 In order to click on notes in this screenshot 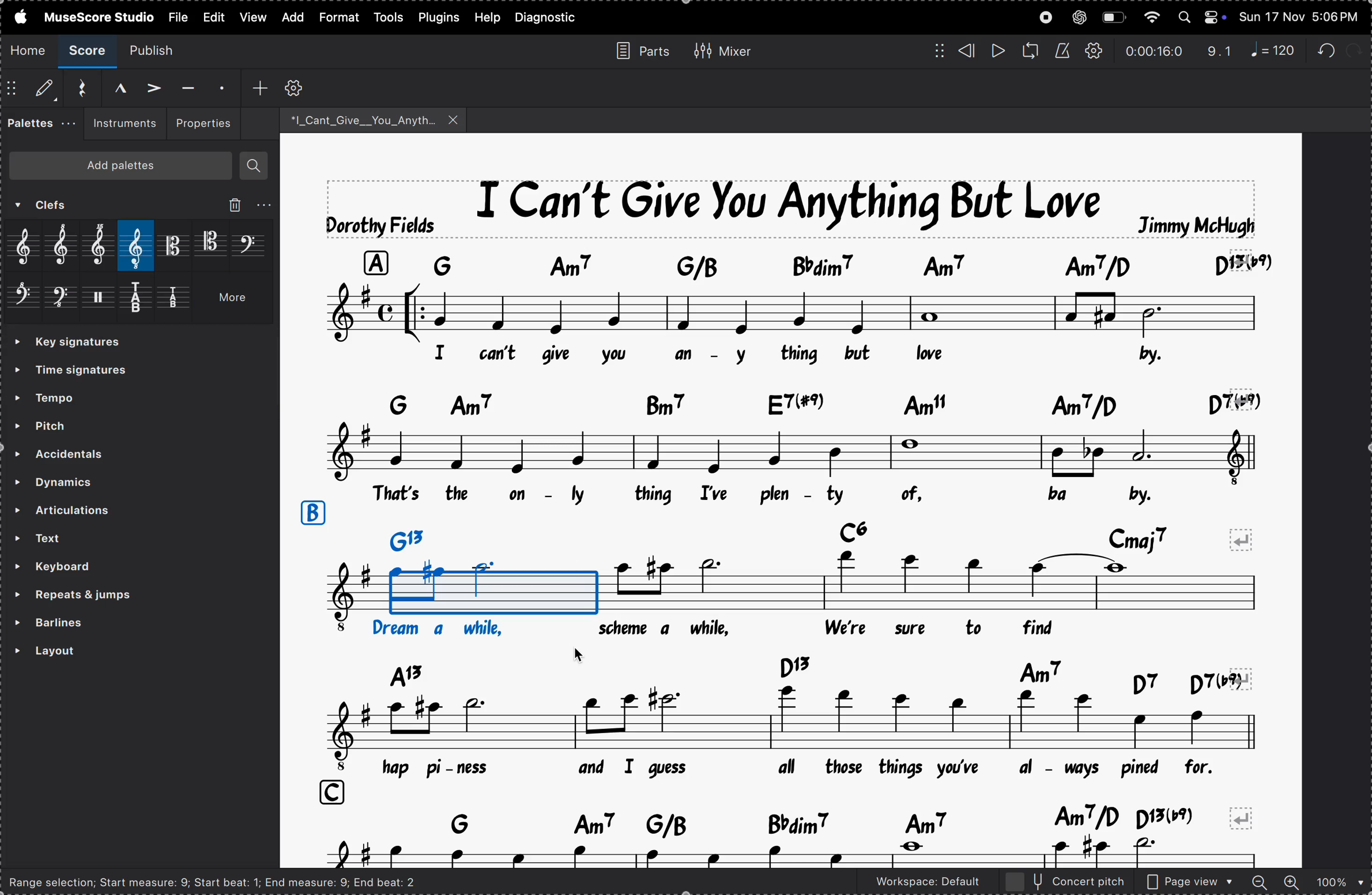, I will do `click(793, 311)`.